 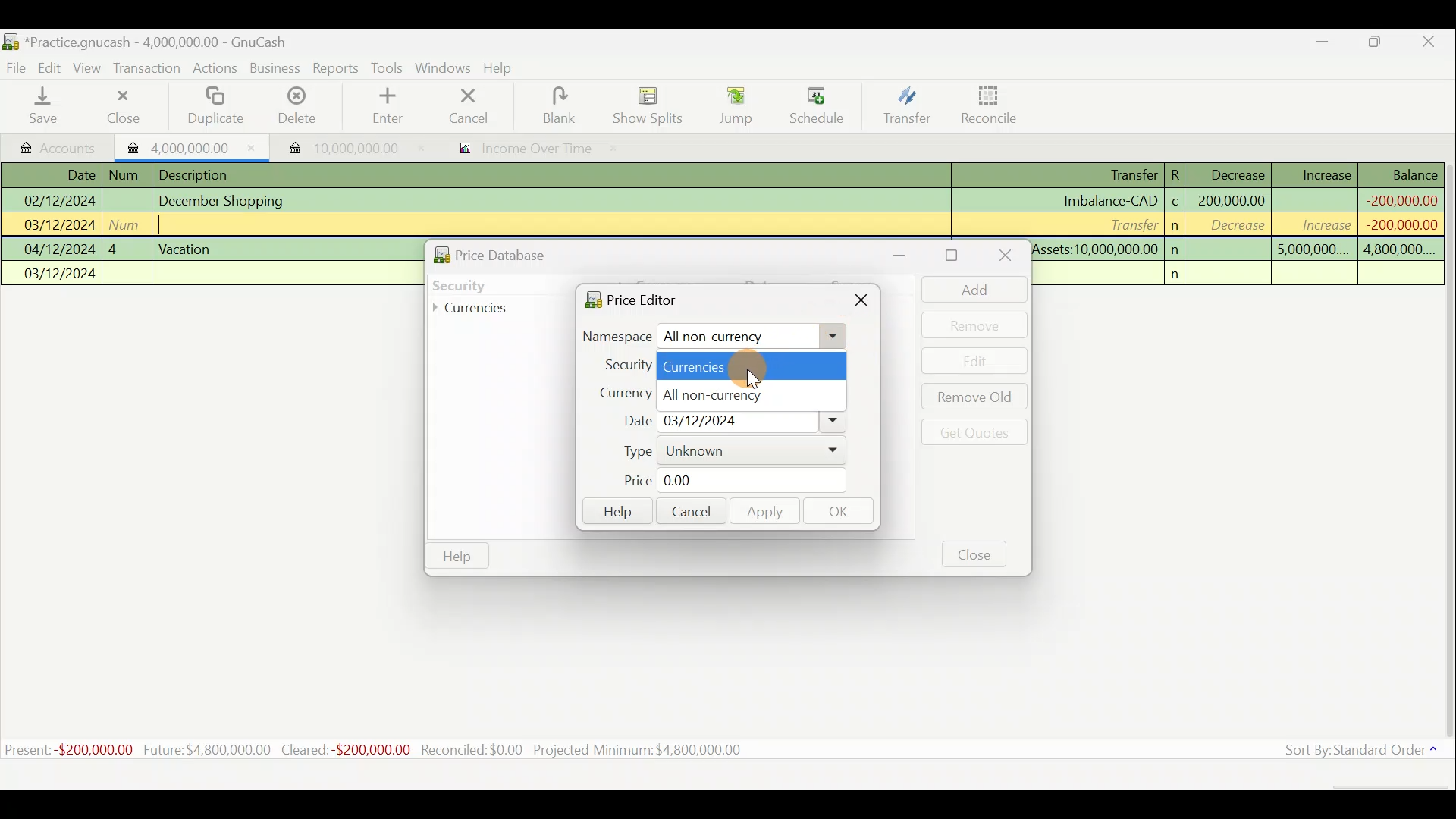 What do you see at coordinates (1384, 44) in the screenshot?
I see `Maximise` at bounding box center [1384, 44].